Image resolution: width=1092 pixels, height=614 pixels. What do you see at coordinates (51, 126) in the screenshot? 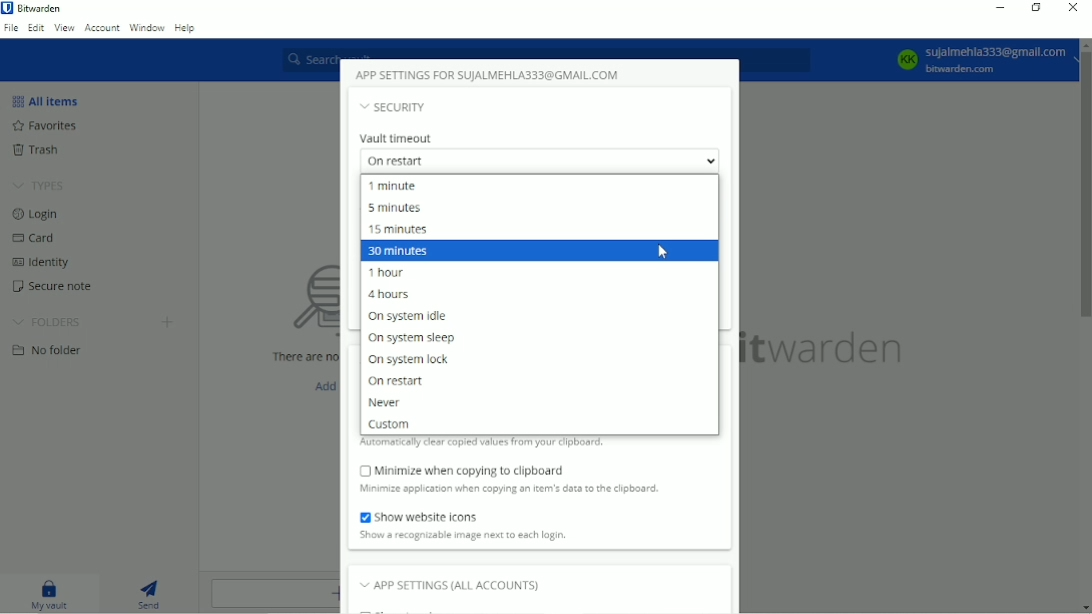
I see `Favorites` at bounding box center [51, 126].